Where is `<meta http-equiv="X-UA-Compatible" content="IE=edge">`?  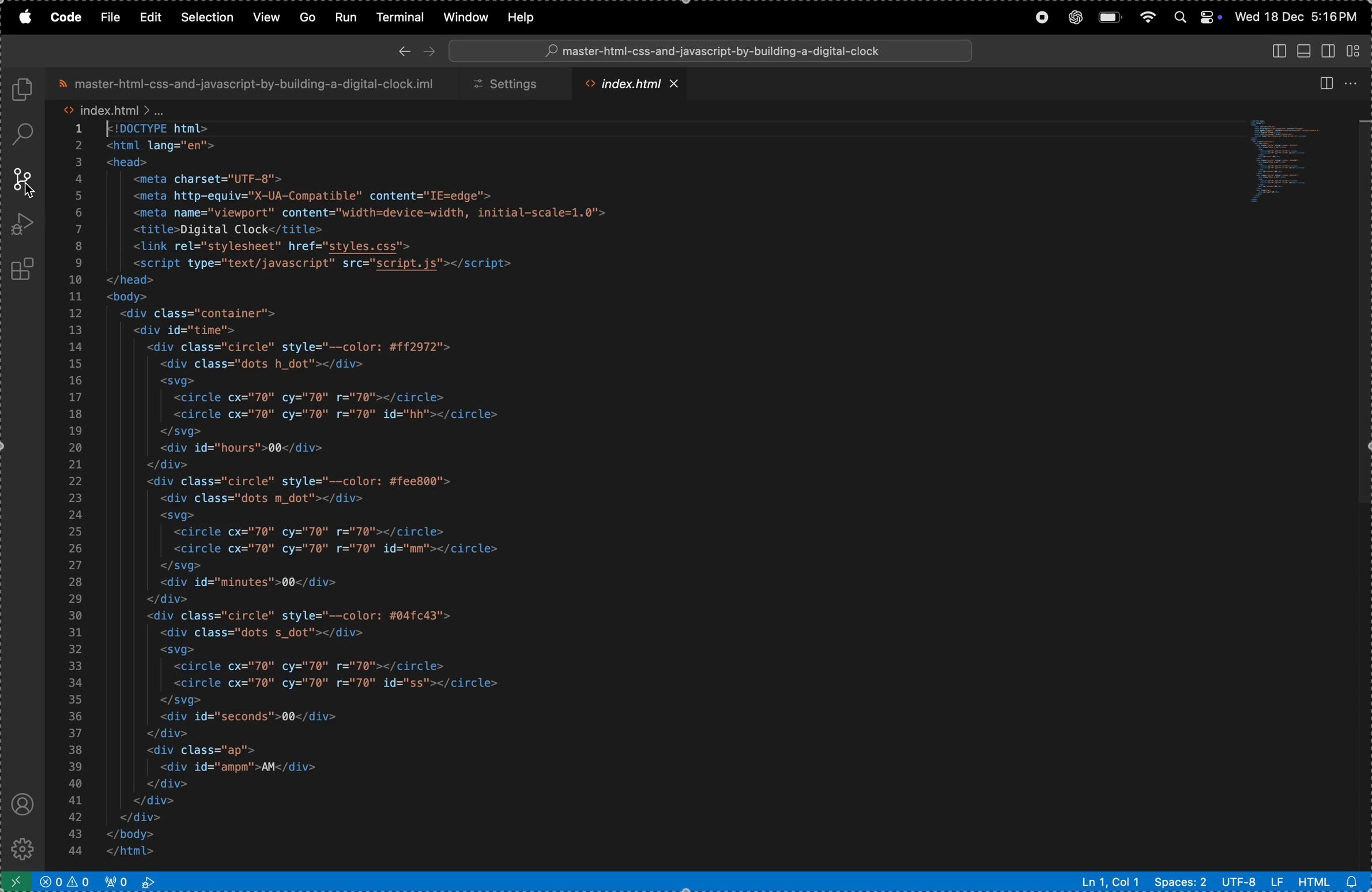
<meta http-equiv="X-UA-Compatible" content="IE=edge"> is located at coordinates (318, 196).